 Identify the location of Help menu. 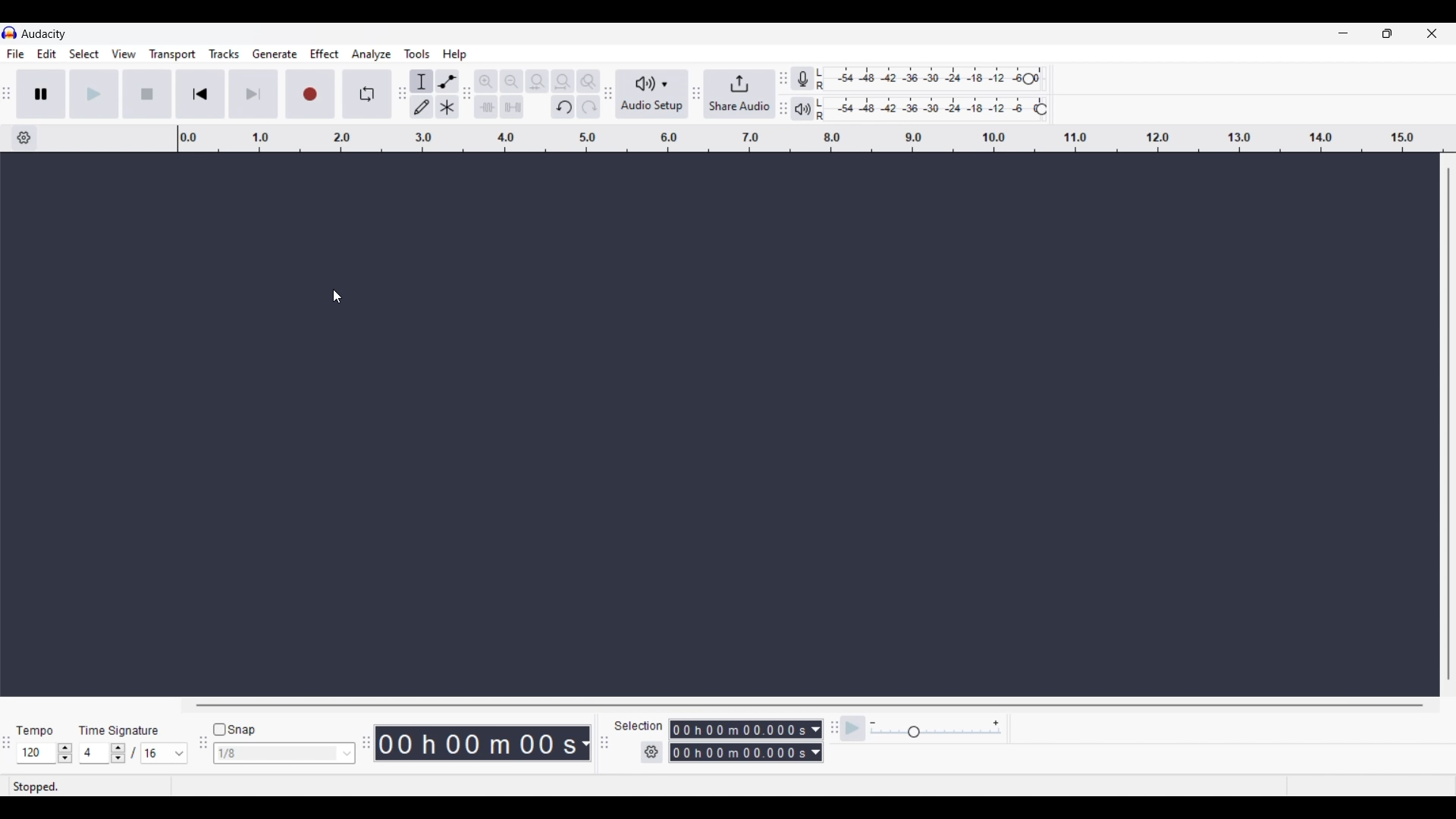
(454, 55).